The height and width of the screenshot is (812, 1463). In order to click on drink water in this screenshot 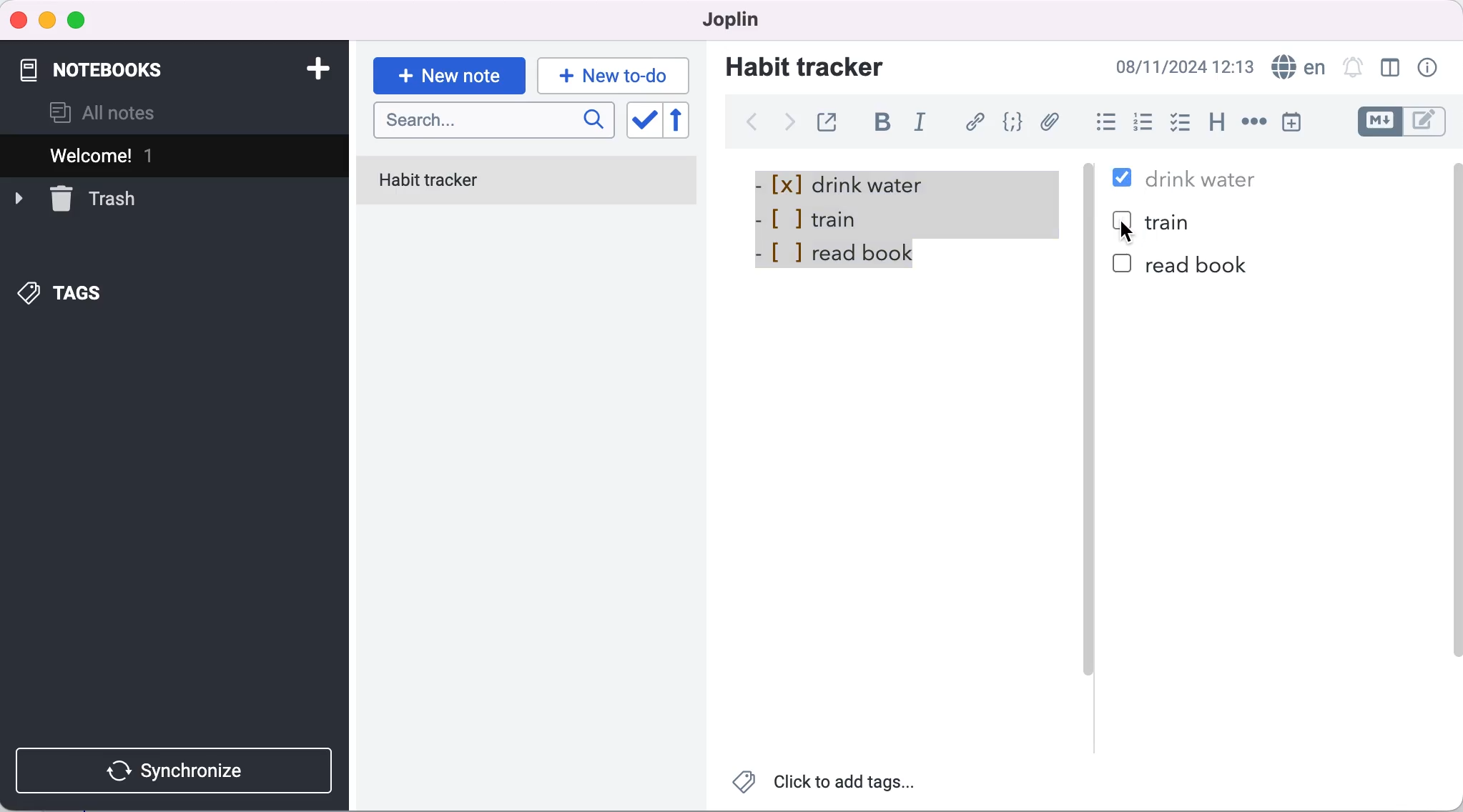, I will do `click(1201, 179)`.